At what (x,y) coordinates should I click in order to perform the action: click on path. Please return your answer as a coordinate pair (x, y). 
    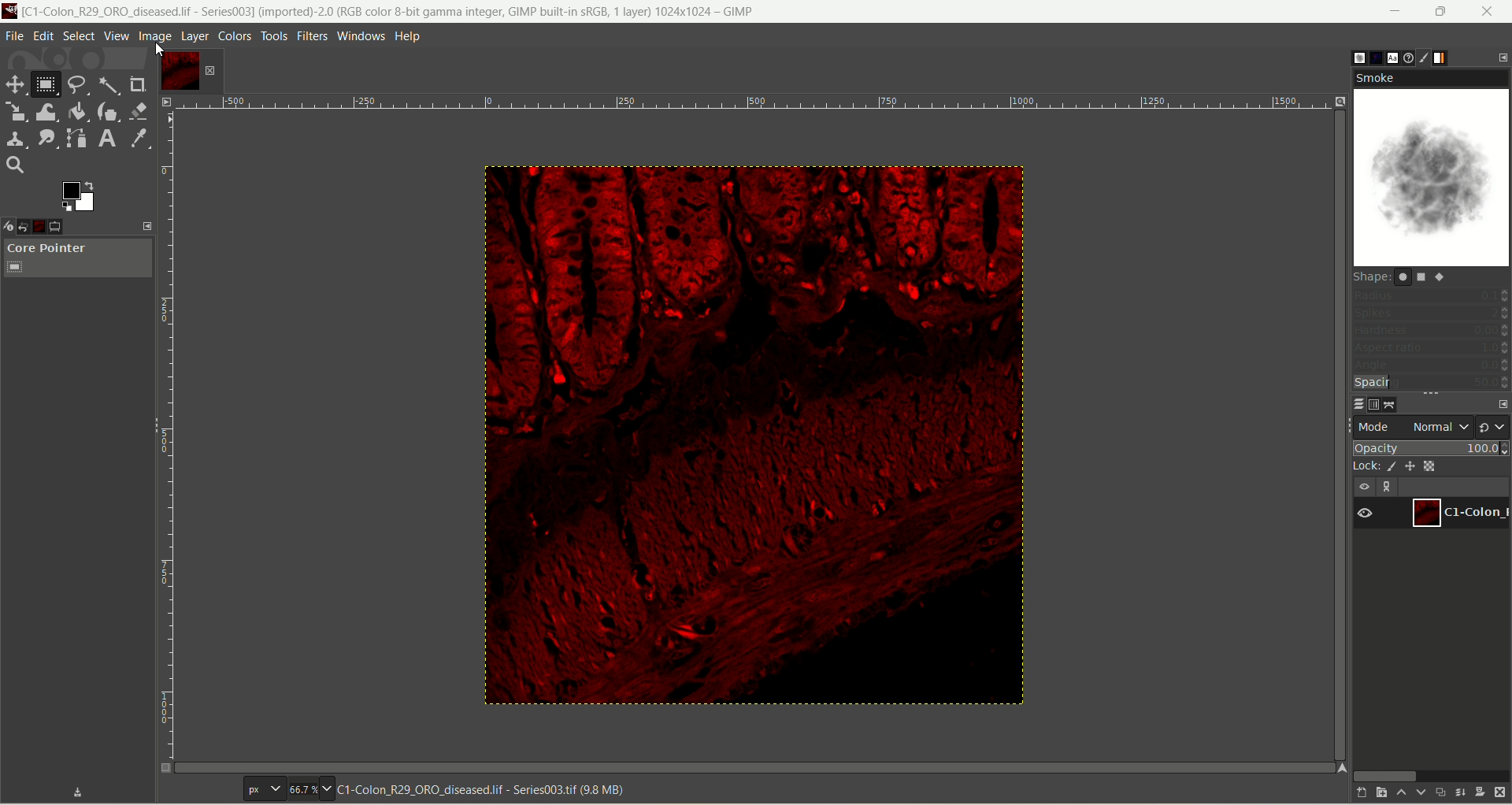
    Looking at the image, I should click on (1389, 404).